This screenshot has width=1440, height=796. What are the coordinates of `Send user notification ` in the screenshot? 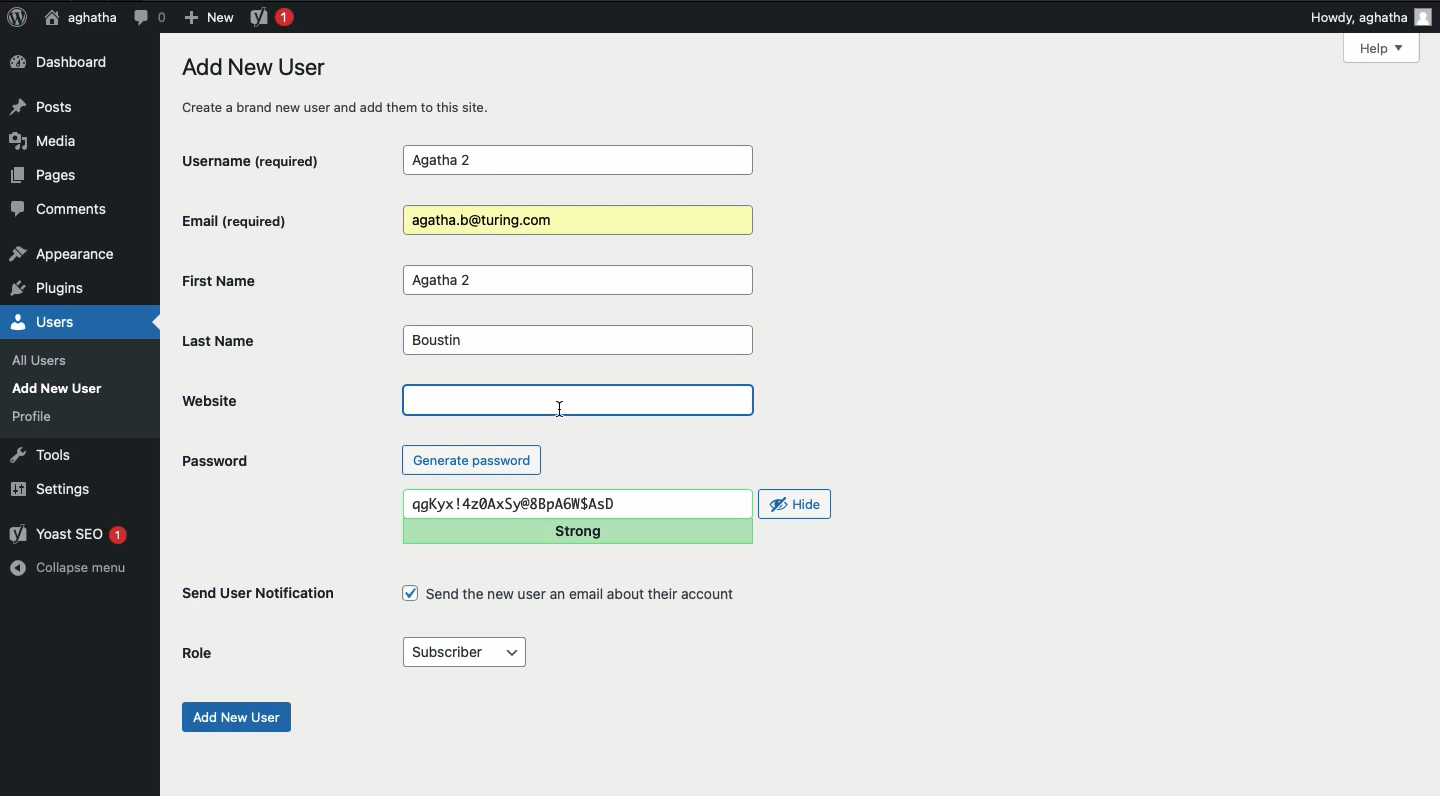 It's located at (260, 597).